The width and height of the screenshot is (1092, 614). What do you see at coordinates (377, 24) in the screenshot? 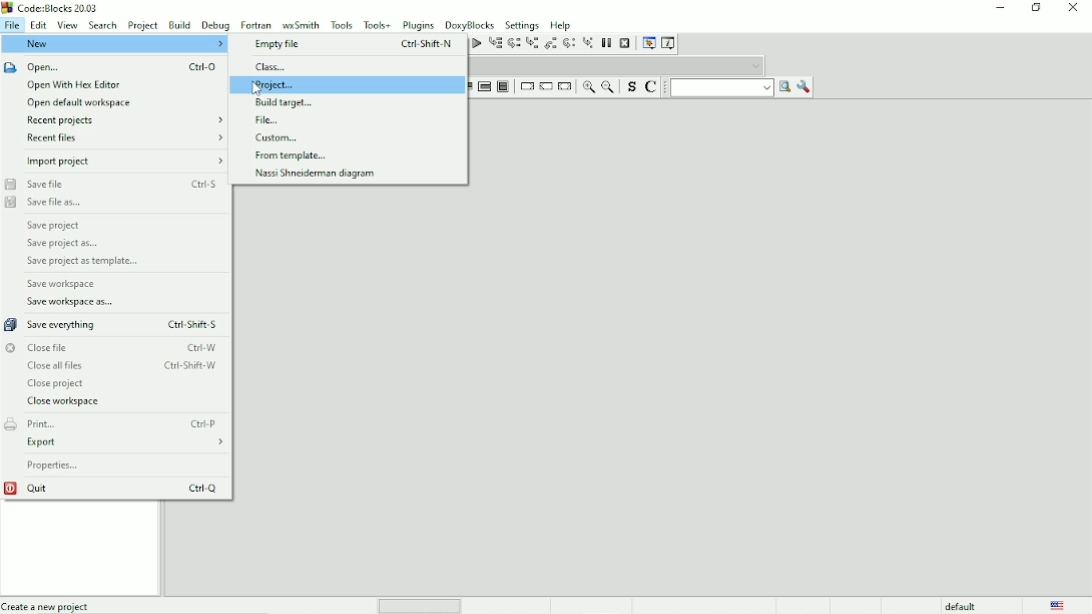
I see `Tools+` at bounding box center [377, 24].